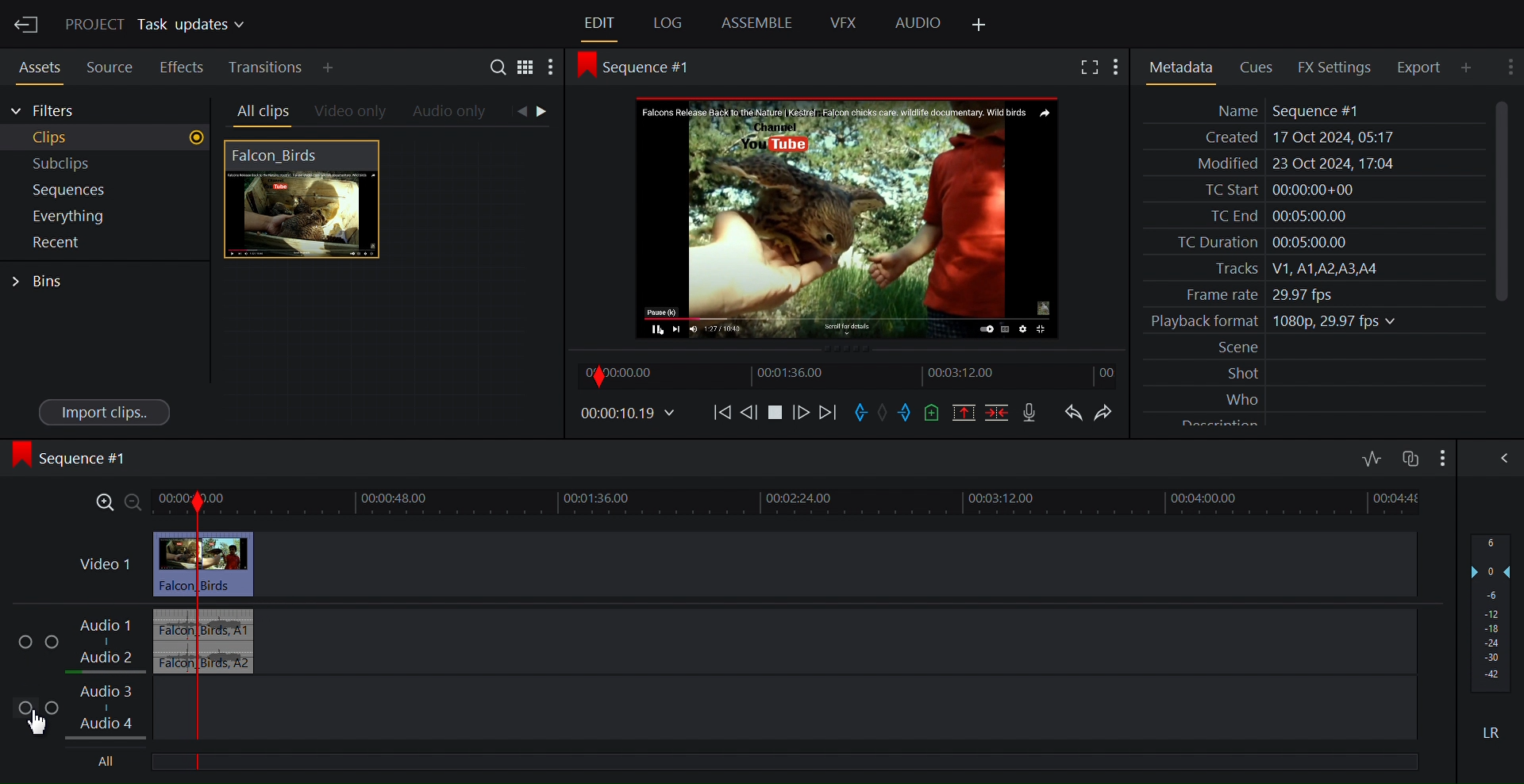 Image resolution: width=1524 pixels, height=784 pixels. I want to click on Modified, so click(1310, 165).